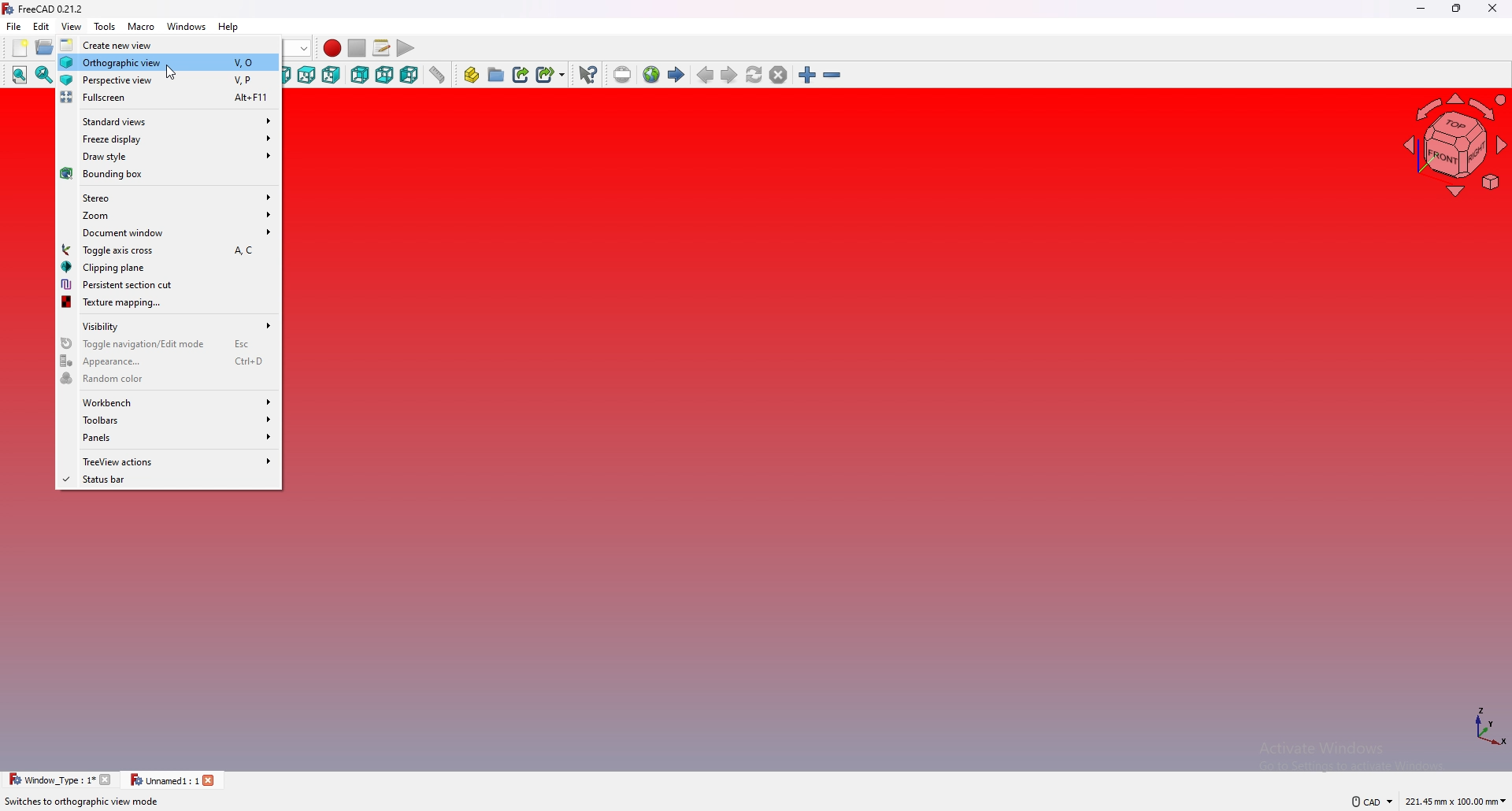  I want to click on Unnamed1: 1, so click(164, 780).